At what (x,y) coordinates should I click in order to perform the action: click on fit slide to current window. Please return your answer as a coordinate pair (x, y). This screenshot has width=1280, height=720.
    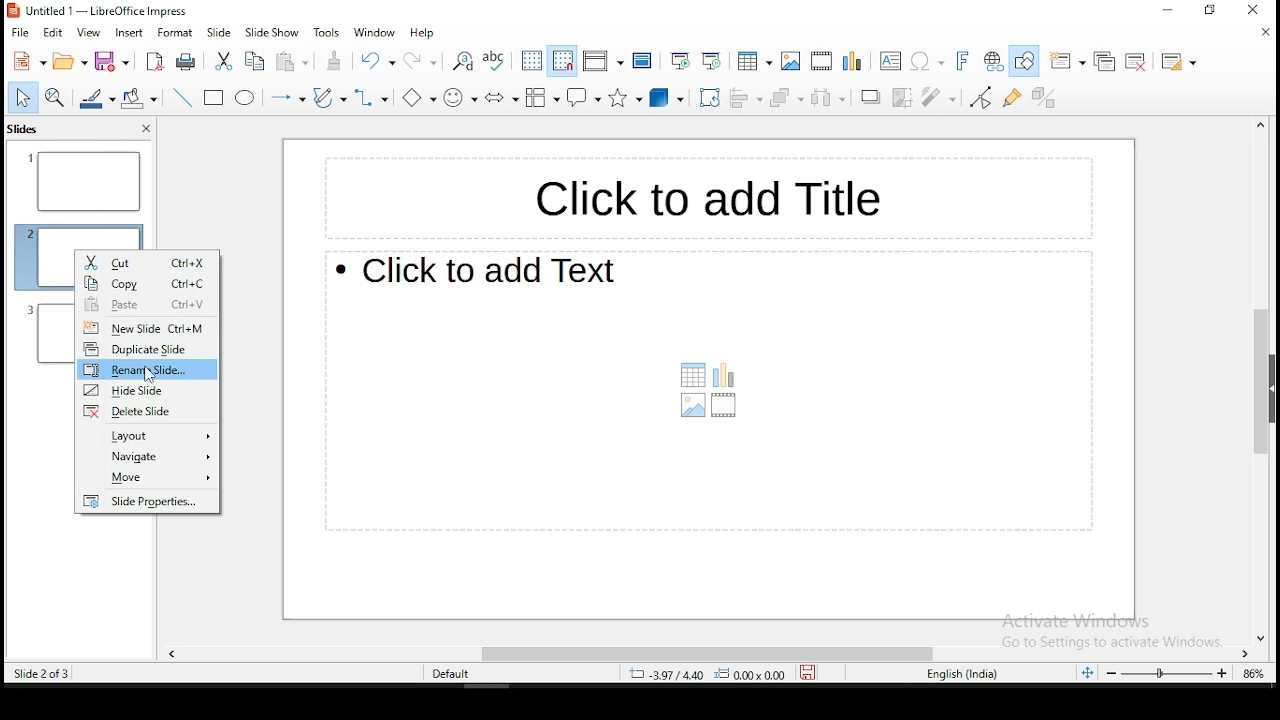
    Looking at the image, I should click on (1084, 673).